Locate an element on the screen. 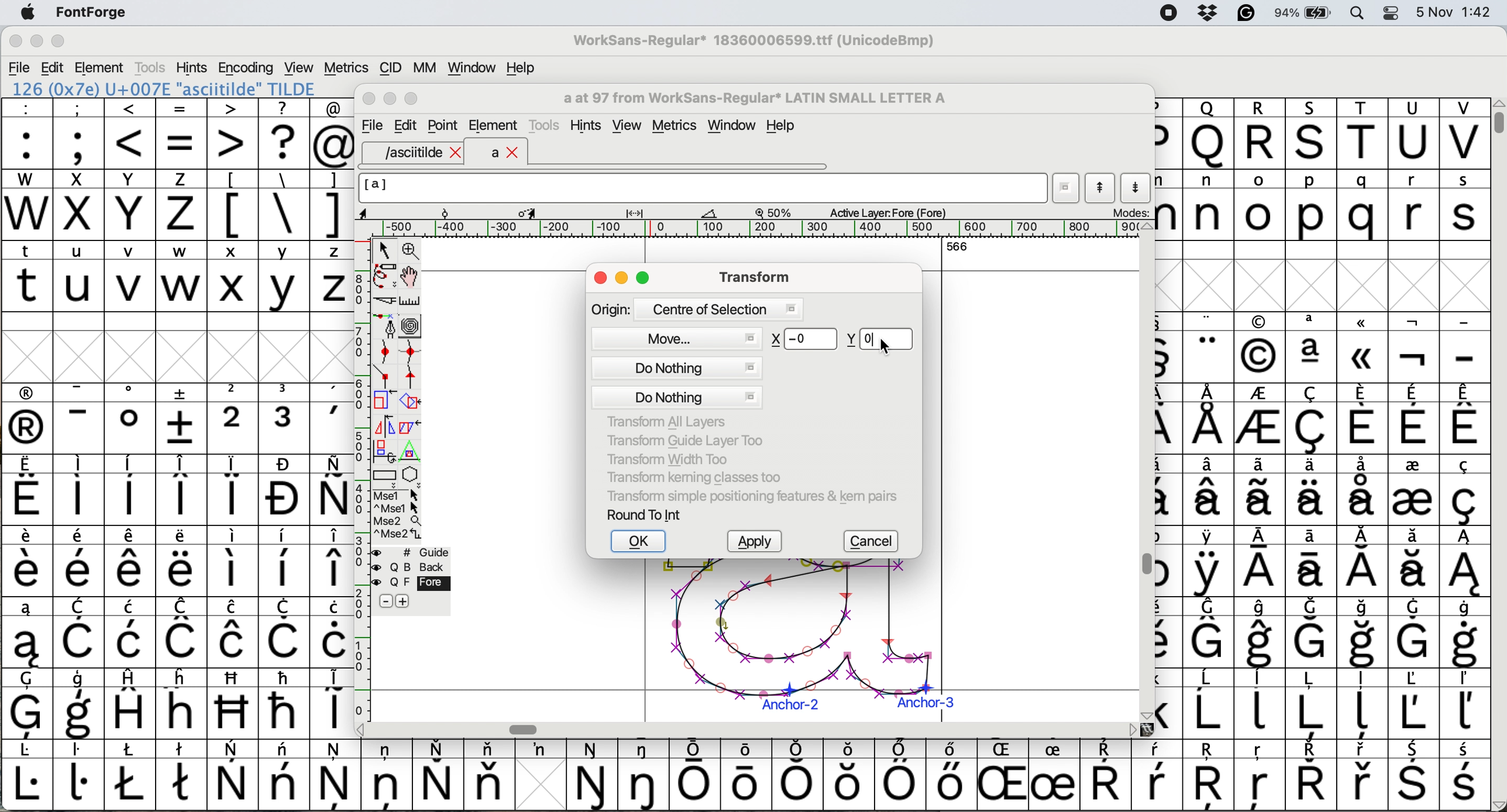 The width and height of the screenshot is (1507, 812). symbol is located at coordinates (27, 776).